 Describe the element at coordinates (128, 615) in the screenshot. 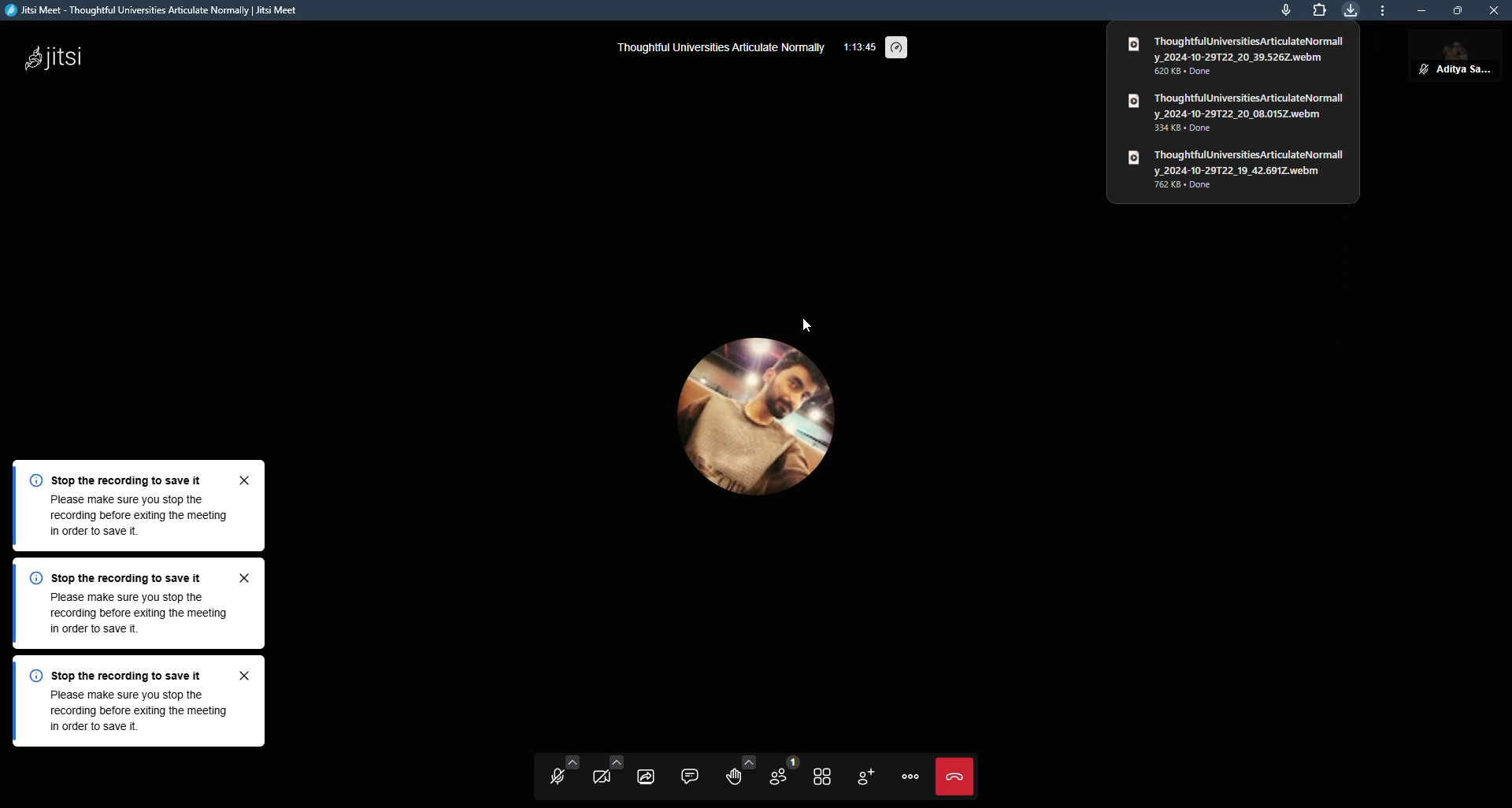

I see `Please make sure you stop therecording before exiting the meeting in order to save it` at that location.